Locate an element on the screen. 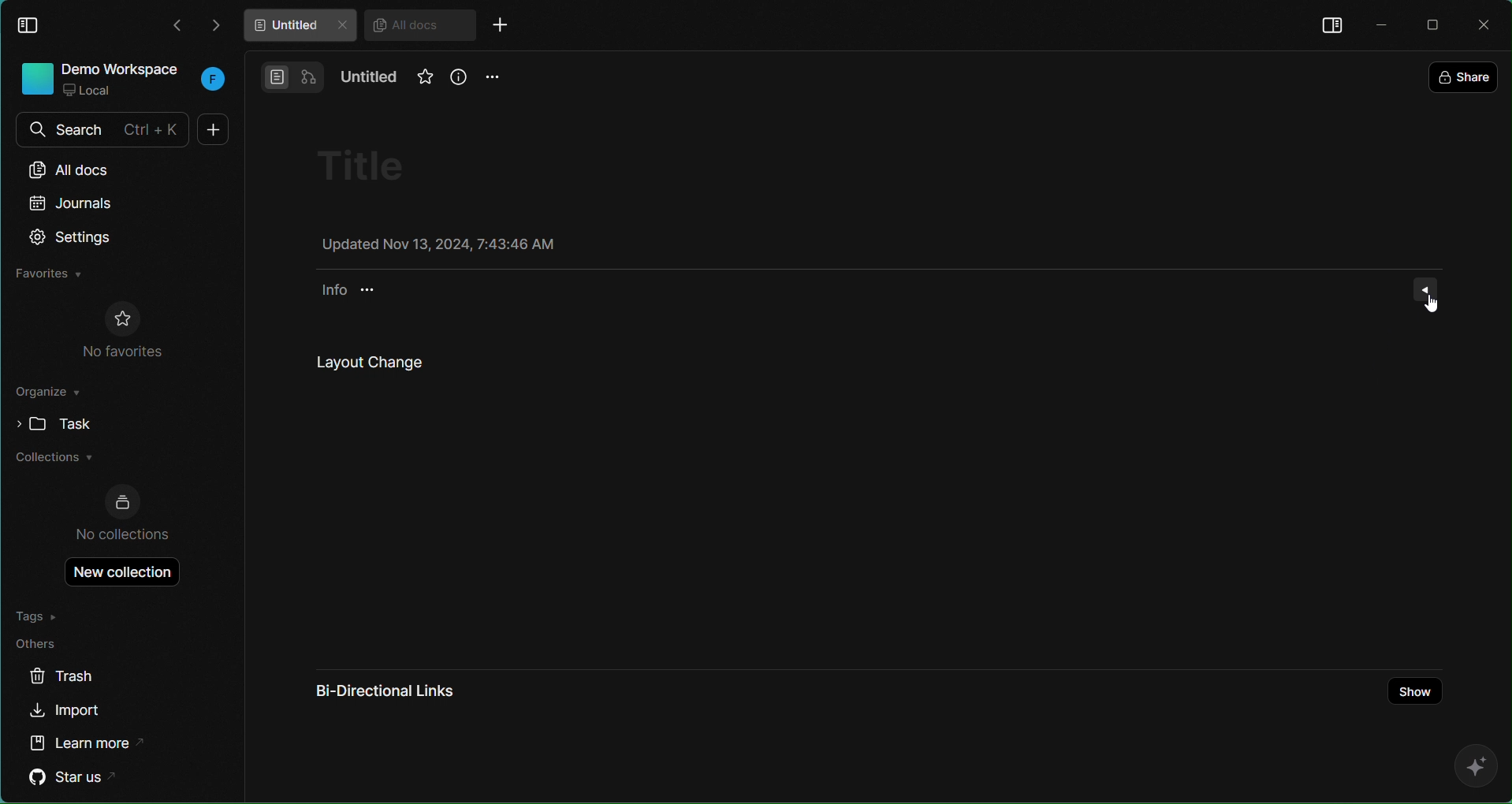 The height and width of the screenshot is (804, 1512). settings is located at coordinates (73, 238).